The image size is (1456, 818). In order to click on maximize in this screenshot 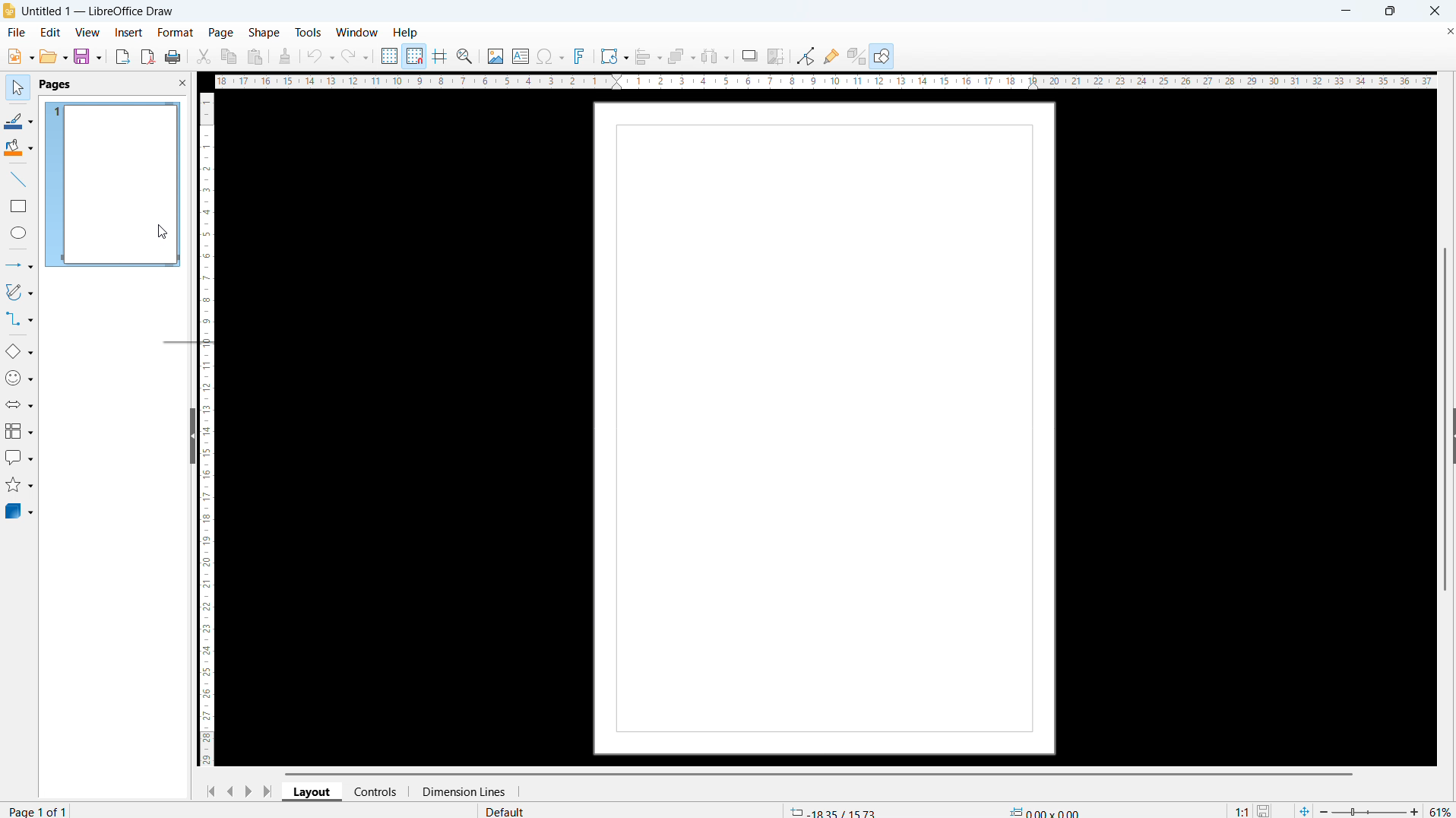, I will do `click(1390, 11)`.